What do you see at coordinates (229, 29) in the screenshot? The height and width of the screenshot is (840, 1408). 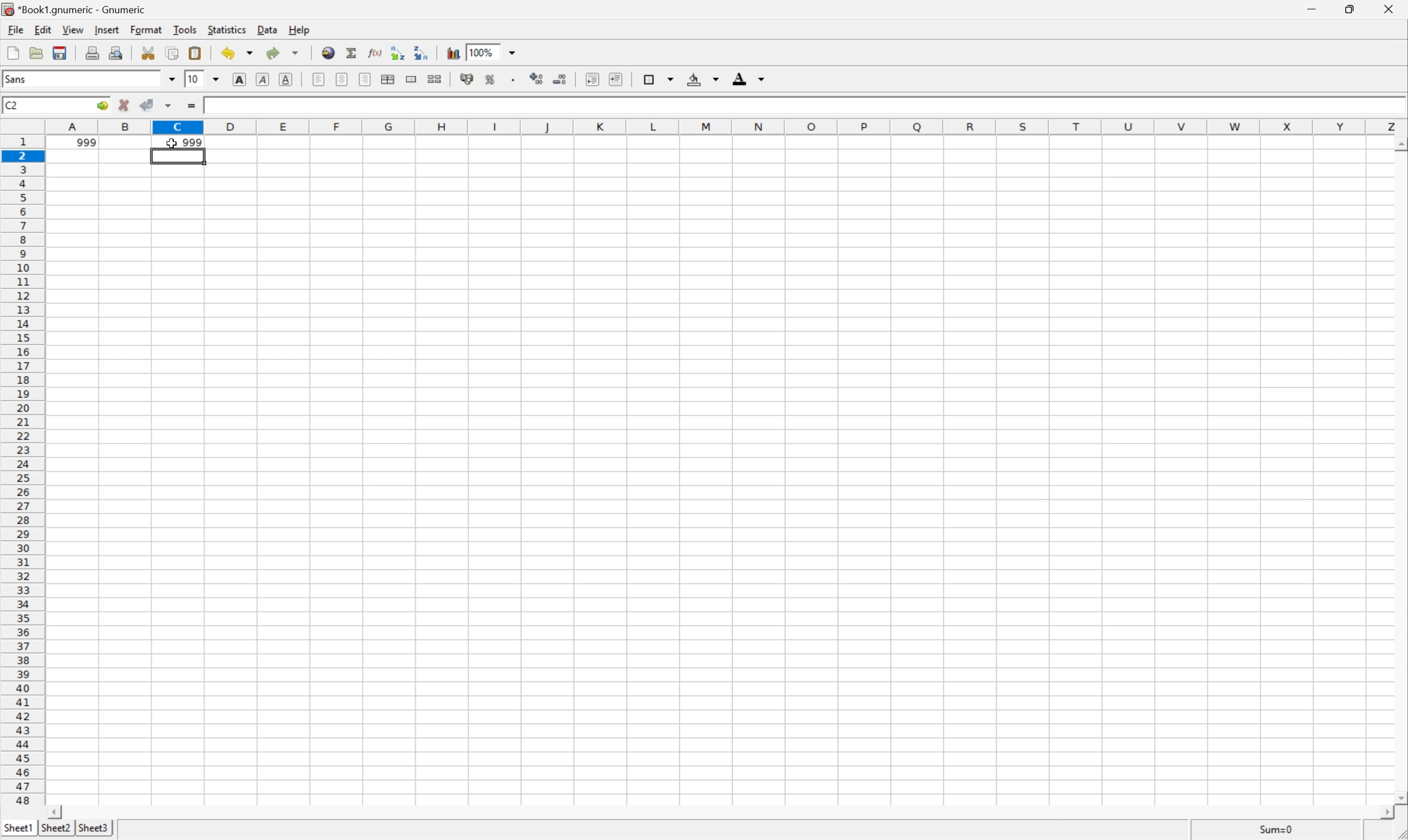 I see `statistics` at bounding box center [229, 29].